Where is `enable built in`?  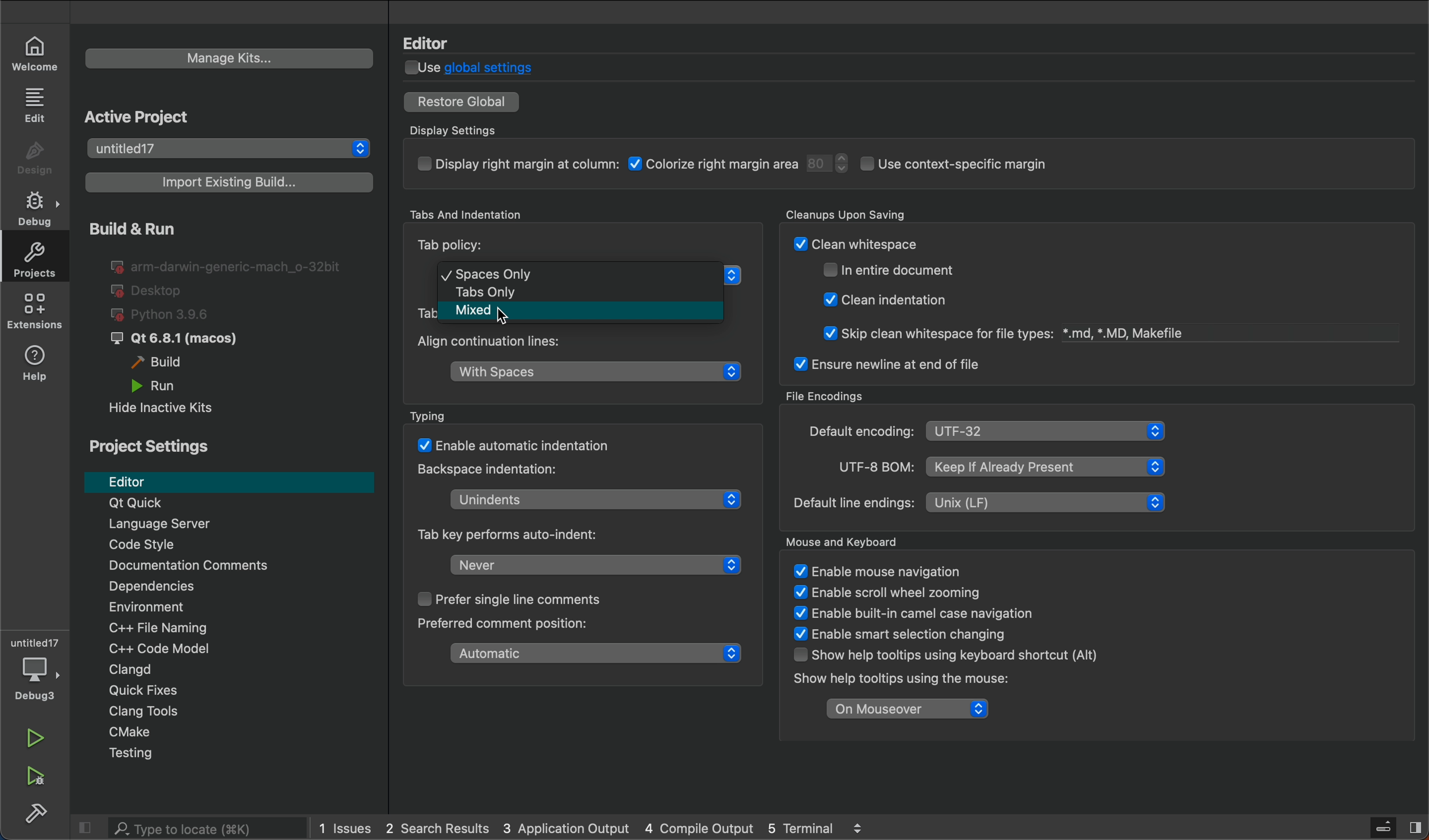
enable built in is located at coordinates (905, 613).